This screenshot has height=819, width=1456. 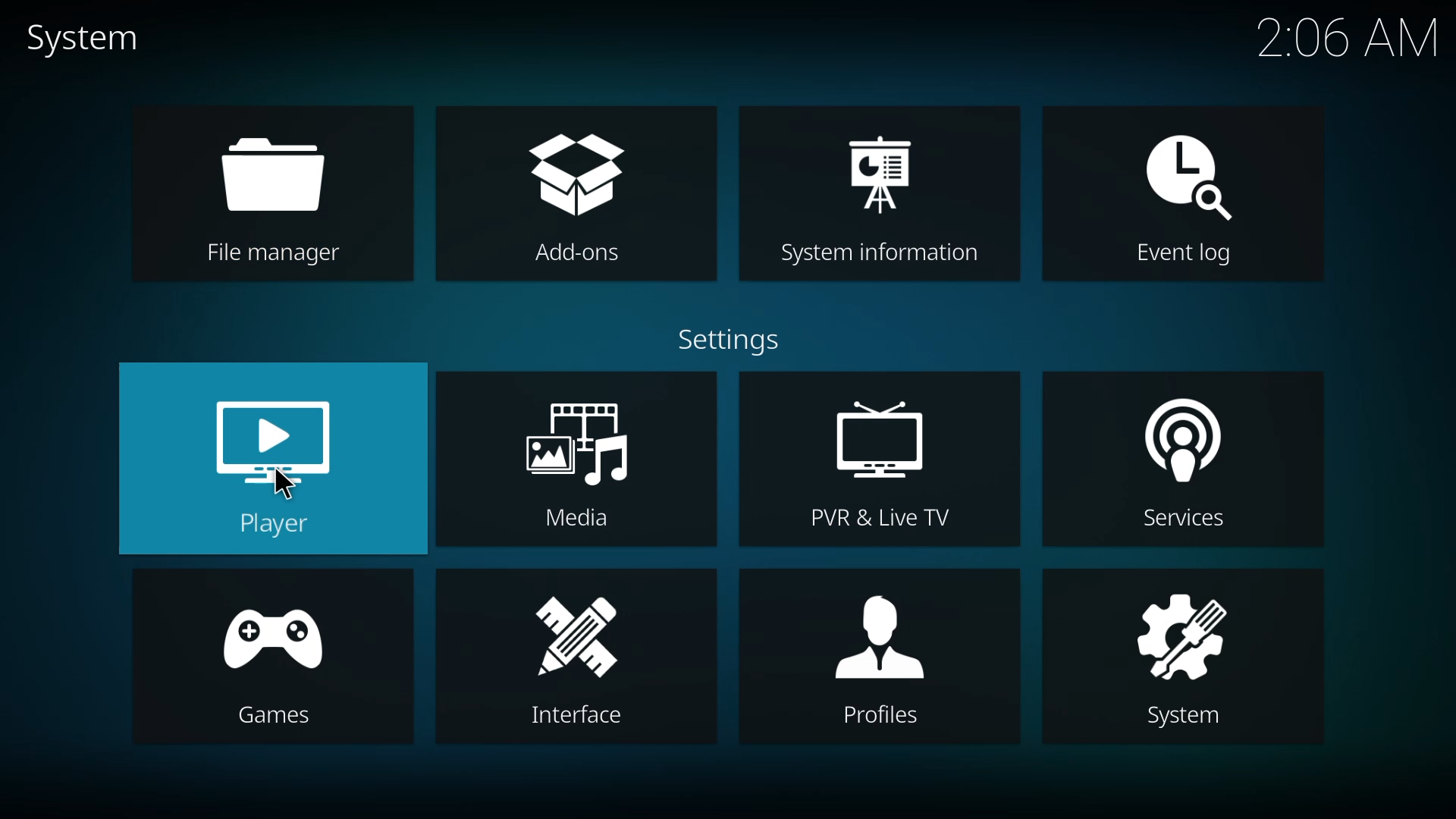 I want to click on services, so click(x=1175, y=464).